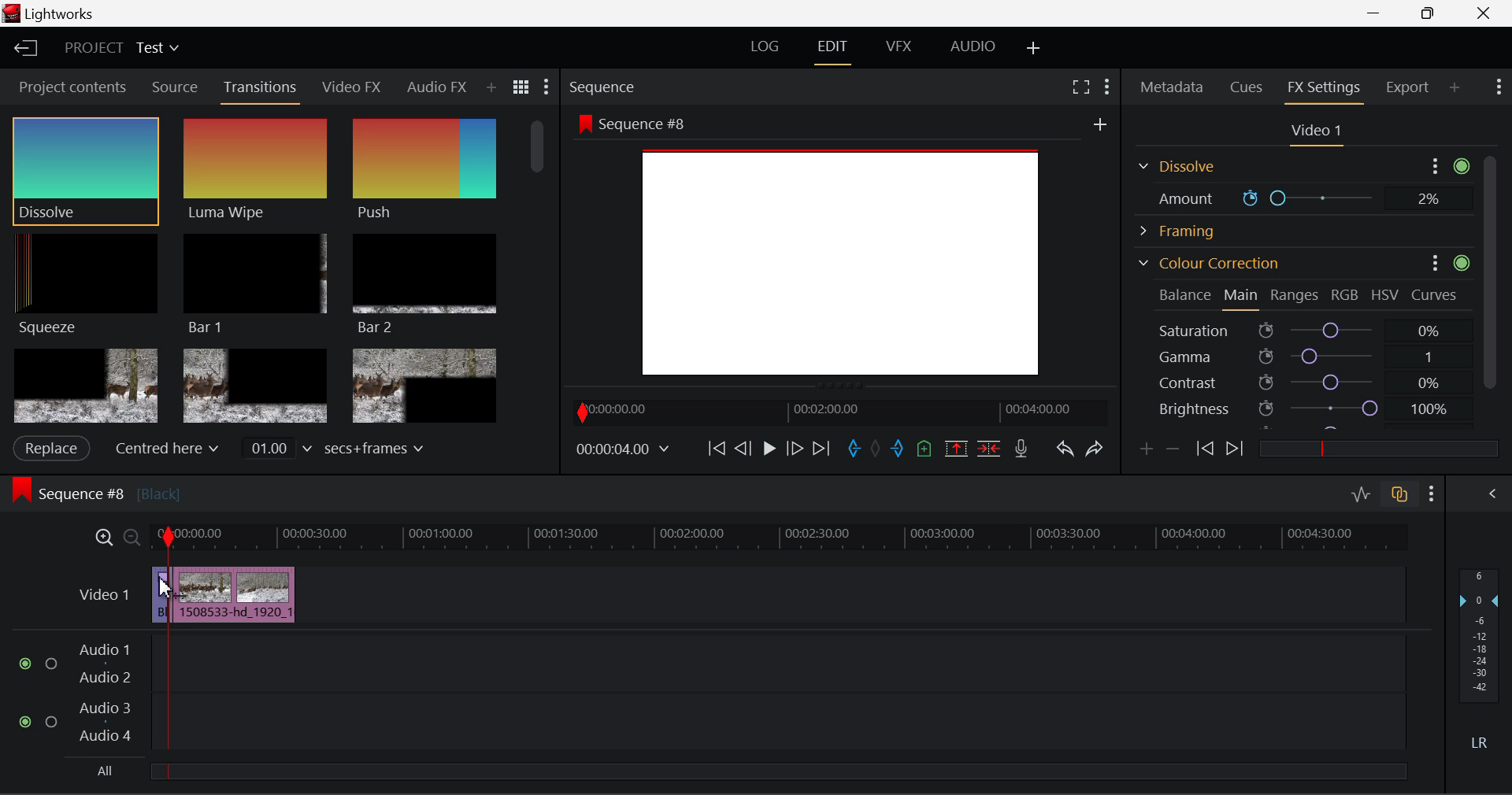 Image resolution: width=1512 pixels, height=795 pixels. What do you see at coordinates (102, 593) in the screenshot?
I see `Video 1` at bounding box center [102, 593].